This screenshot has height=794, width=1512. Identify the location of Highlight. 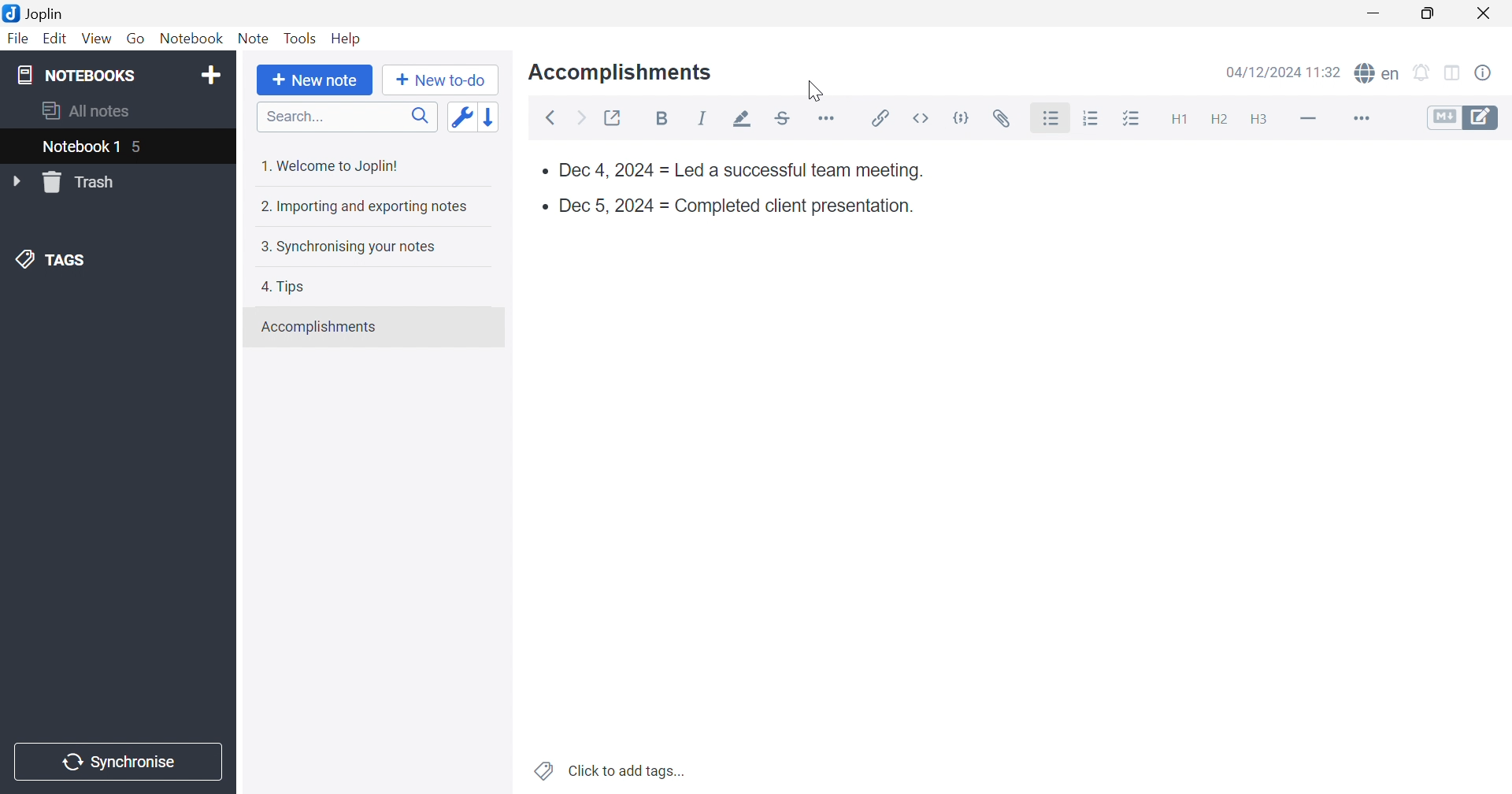
(746, 119).